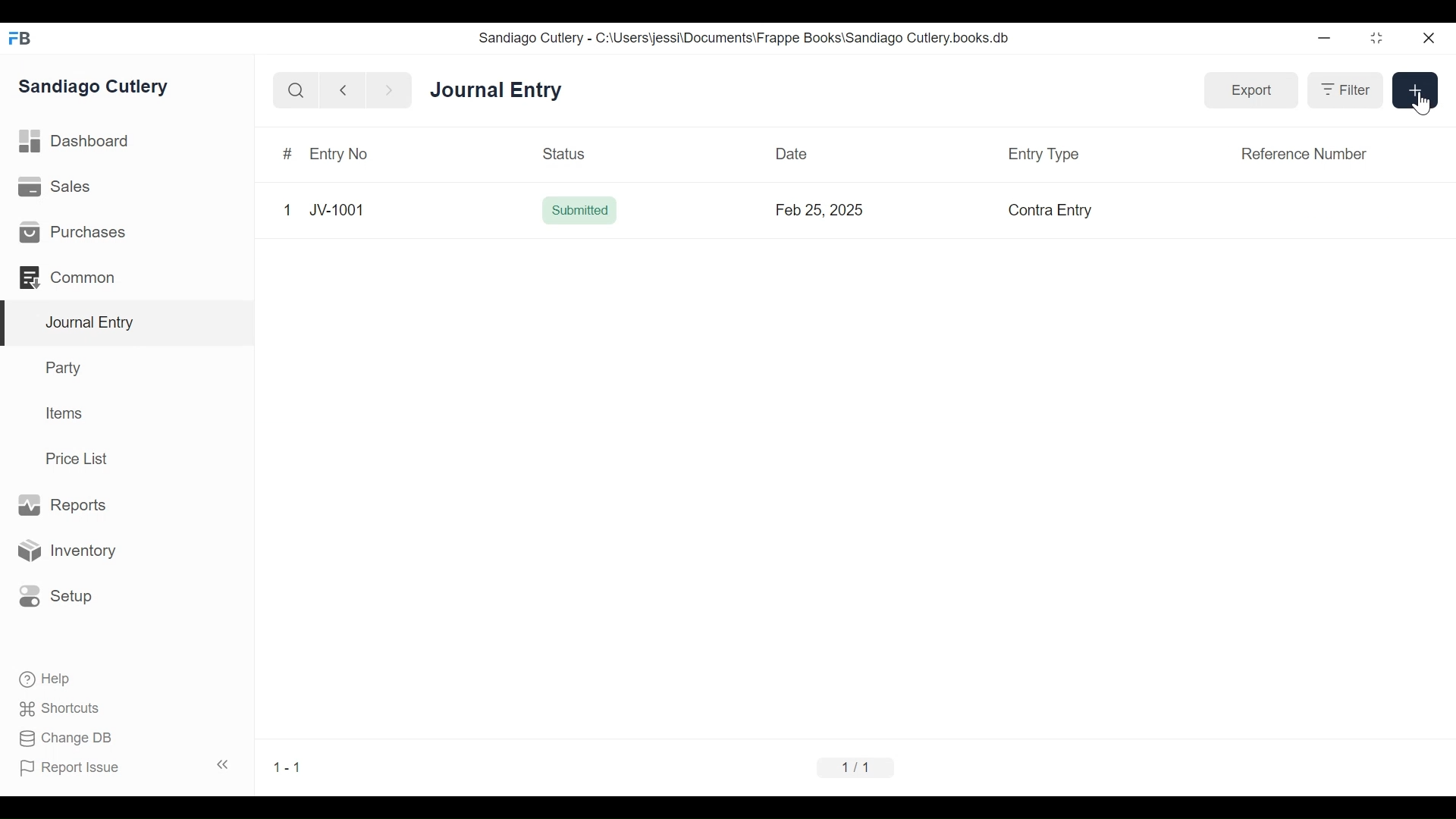 Image resolution: width=1456 pixels, height=819 pixels. Describe the element at coordinates (1252, 89) in the screenshot. I see `Export` at that location.